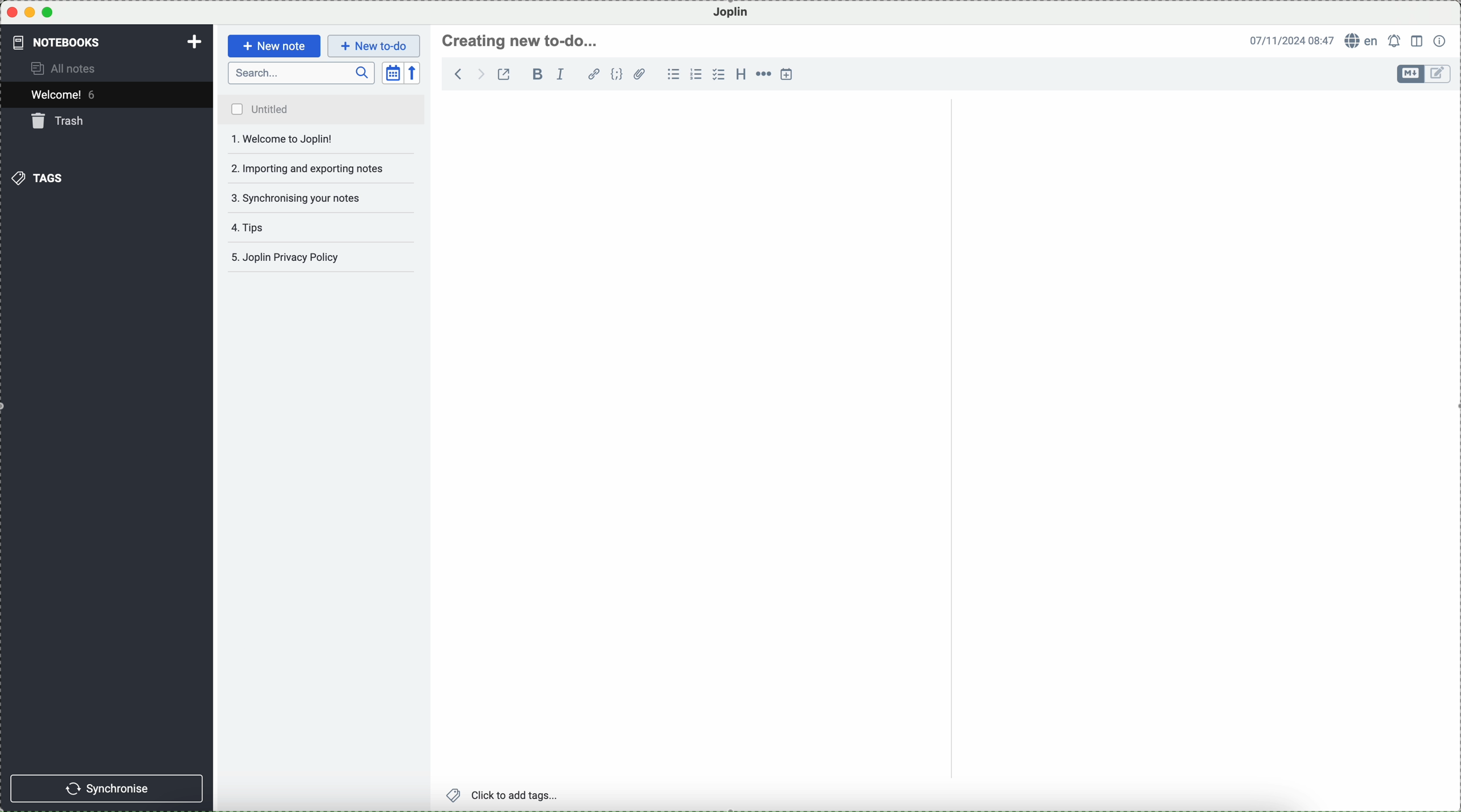  What do you see at coordinates (48, 12) in the screenshot?
I see `maximize` at bounding box center [48, 12].